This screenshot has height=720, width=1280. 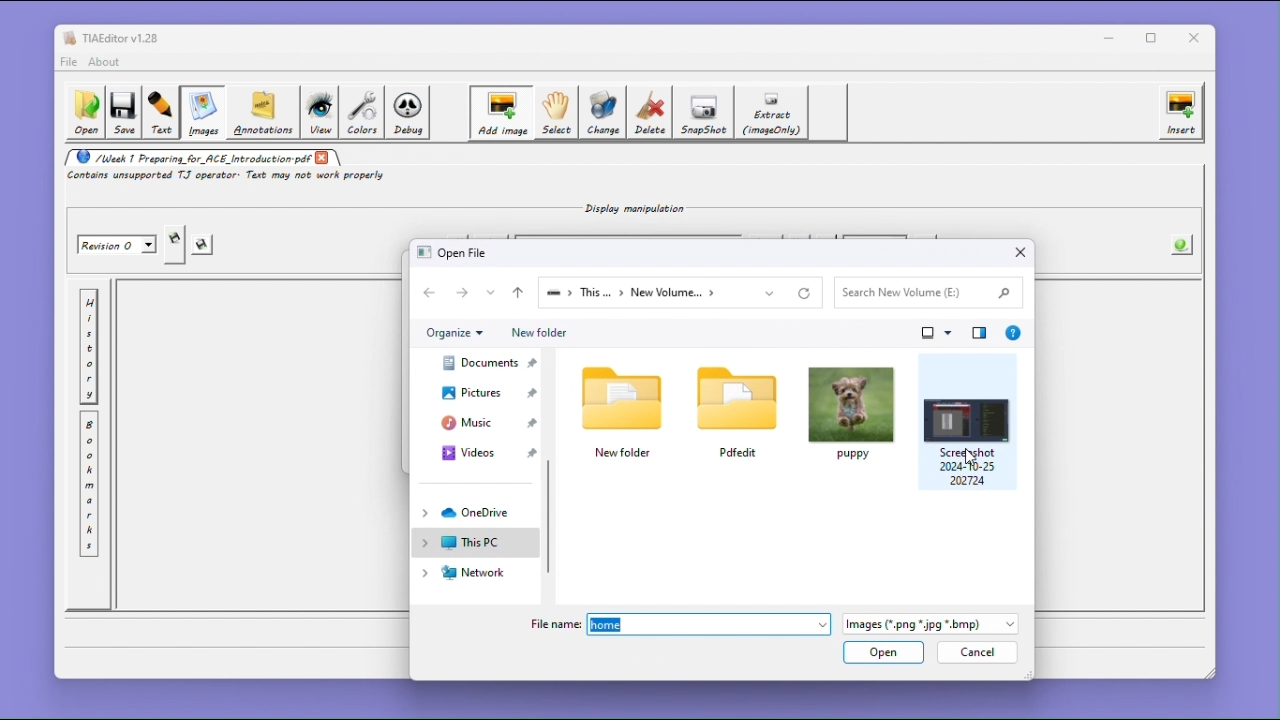 I want to click on PDFEdit, so click(x=737, y=411).